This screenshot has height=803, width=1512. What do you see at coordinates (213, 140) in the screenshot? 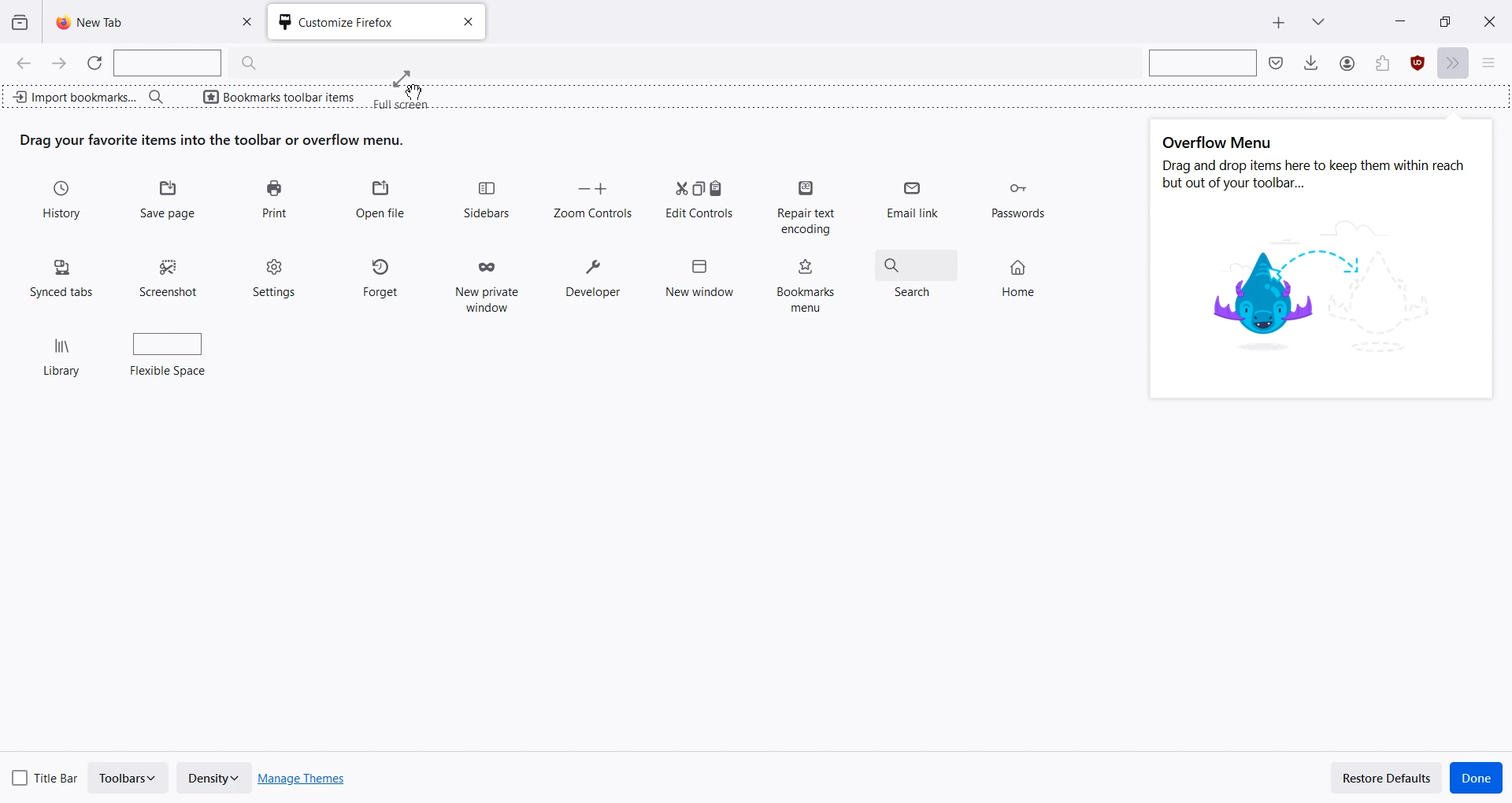
I see `Text` at bounding box center [213, 140].